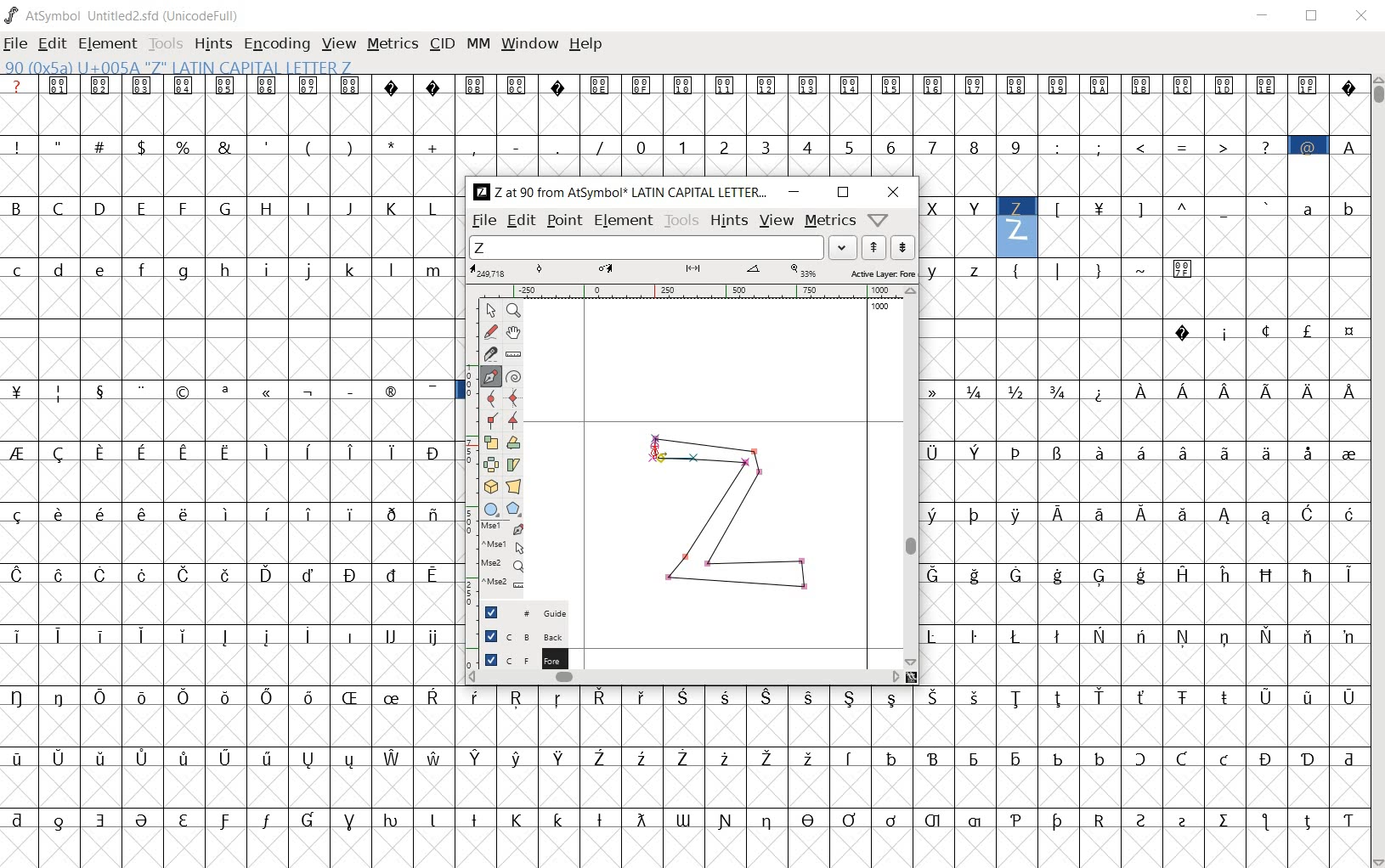 The image size is (1385, 868). What do you see at coordinates (520, 222) in the screenshot?
I see `edit` at bounding box center [520, 222].